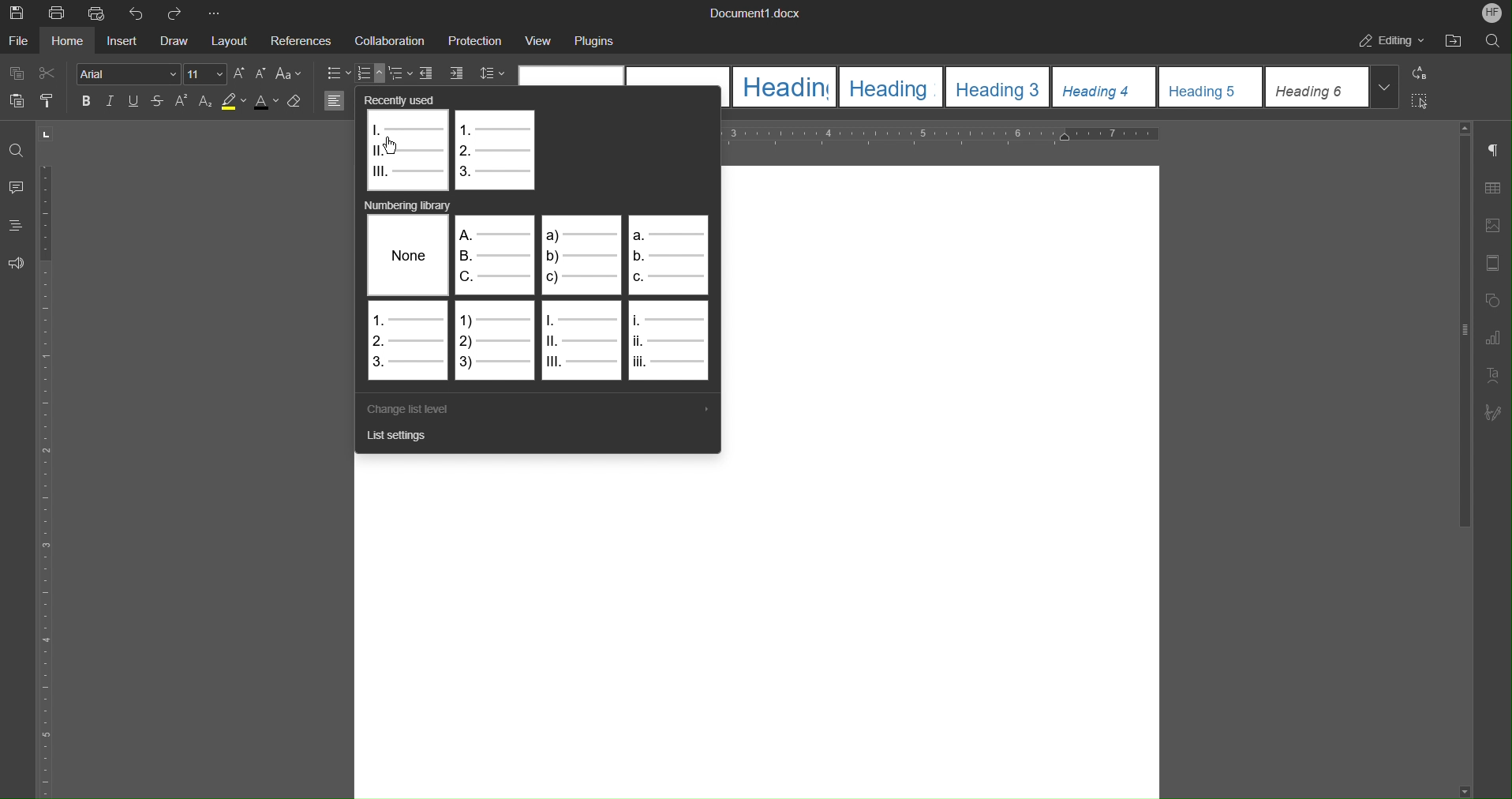  I want to click on File, so click(19, 42).